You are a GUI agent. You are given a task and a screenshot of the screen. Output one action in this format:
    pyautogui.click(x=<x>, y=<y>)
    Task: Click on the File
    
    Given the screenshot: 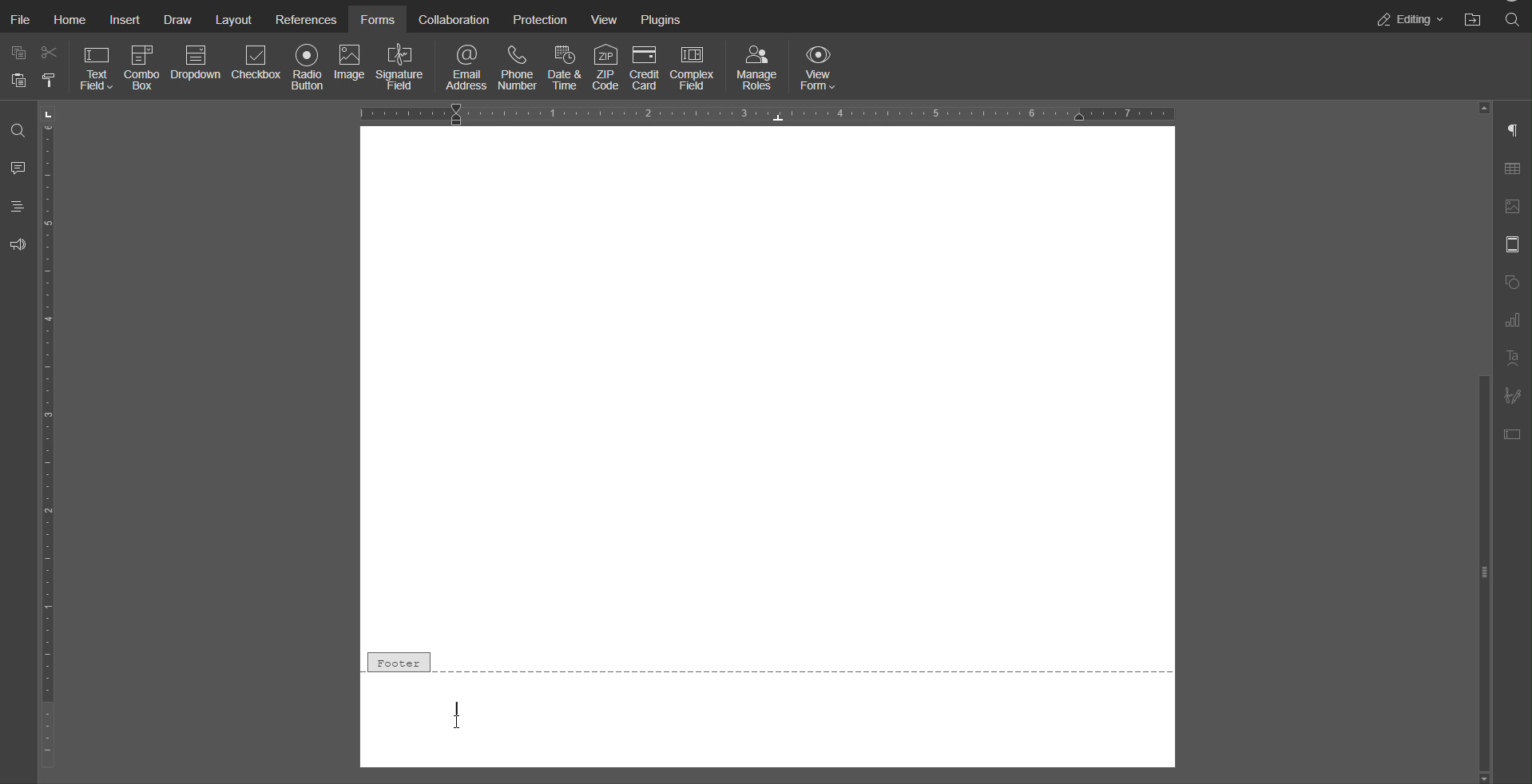 What is the action you would take?
    pyautogui.click(x=22, y=21)
    